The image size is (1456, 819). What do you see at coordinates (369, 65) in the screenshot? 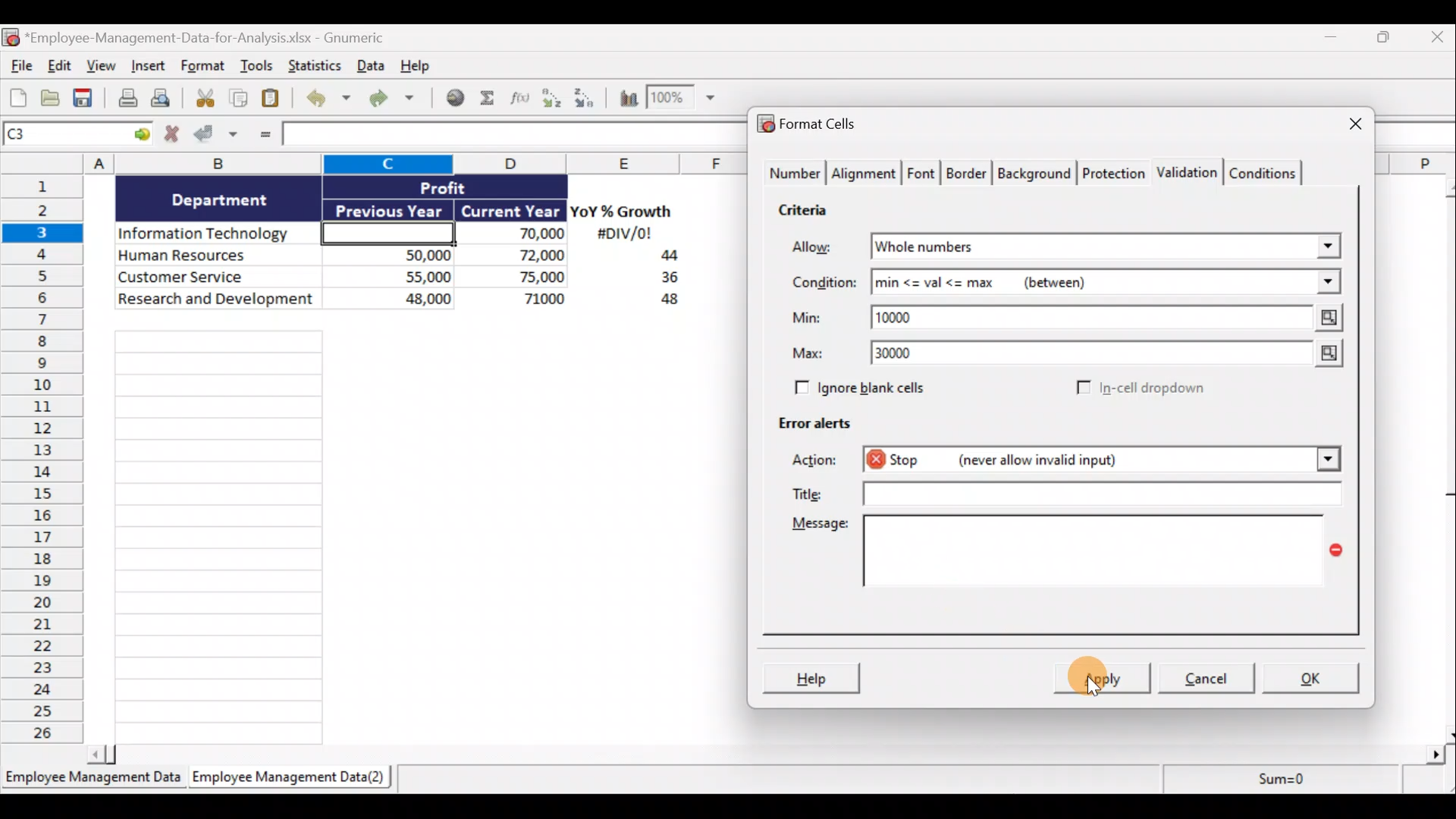
I see `Data` at bounding box center [369, 65].